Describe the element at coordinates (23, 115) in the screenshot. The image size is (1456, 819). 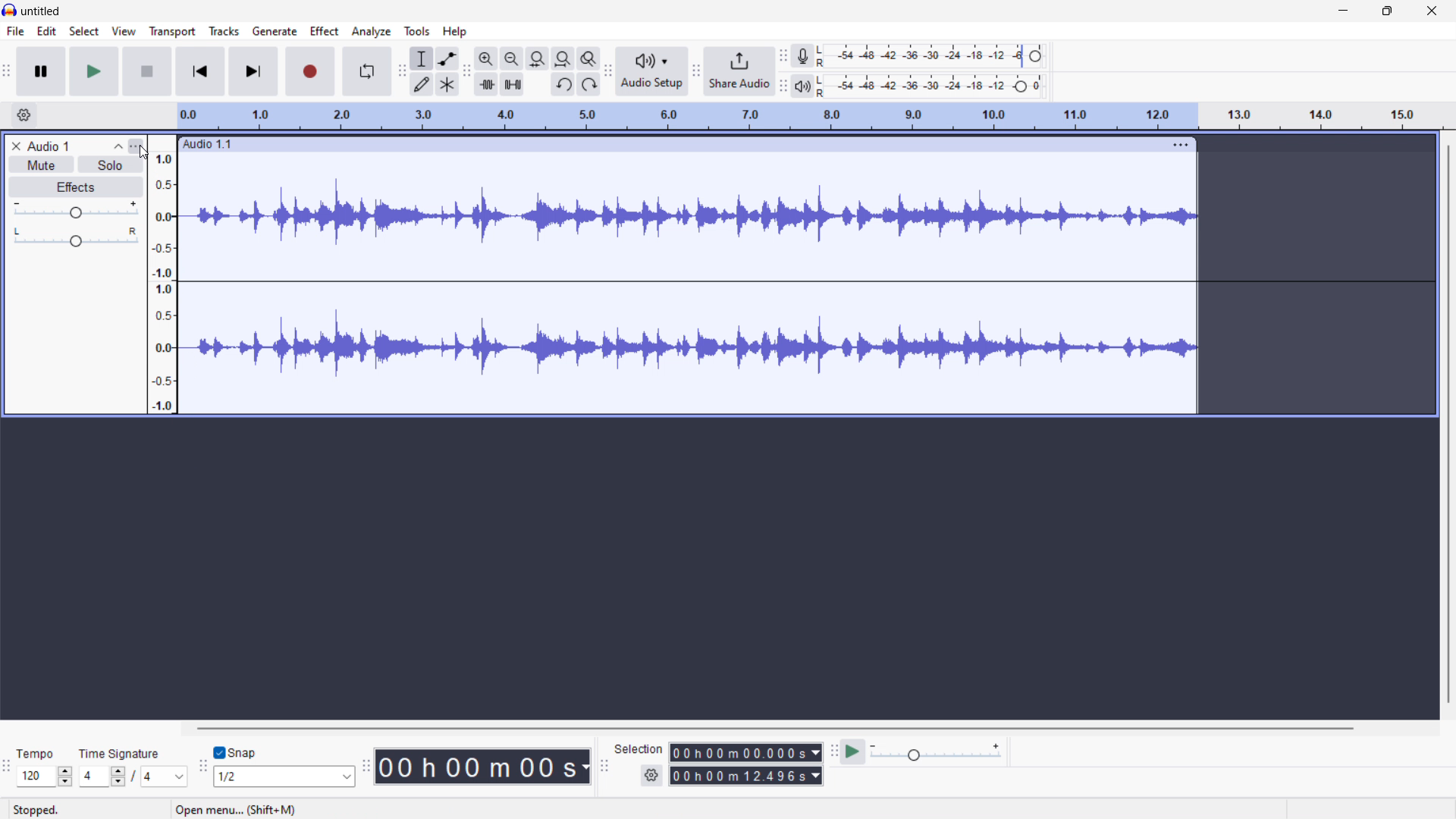
I see `timeline settings` at that location.